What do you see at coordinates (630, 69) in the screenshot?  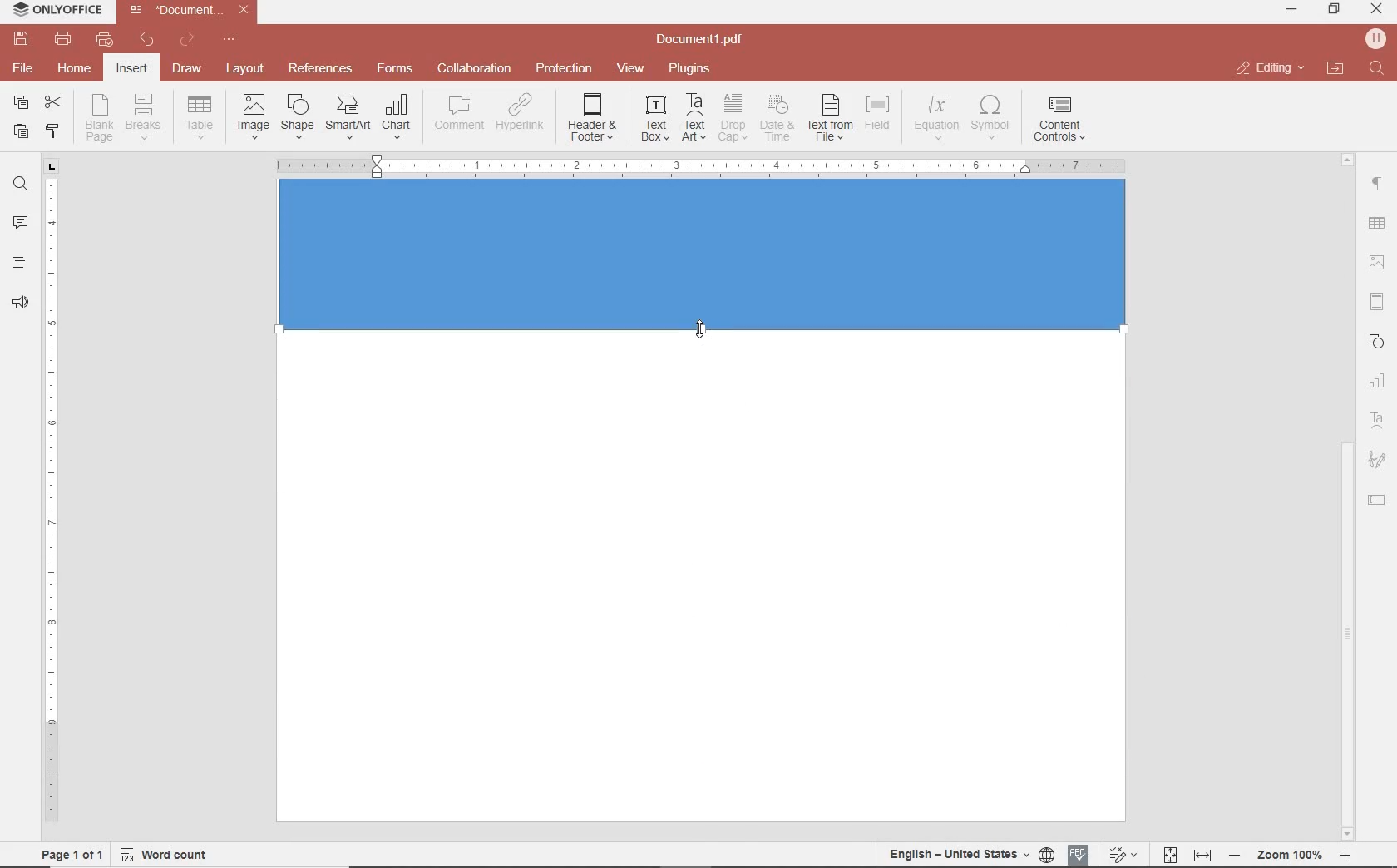 I see `view` at bounding box center [630, 69].